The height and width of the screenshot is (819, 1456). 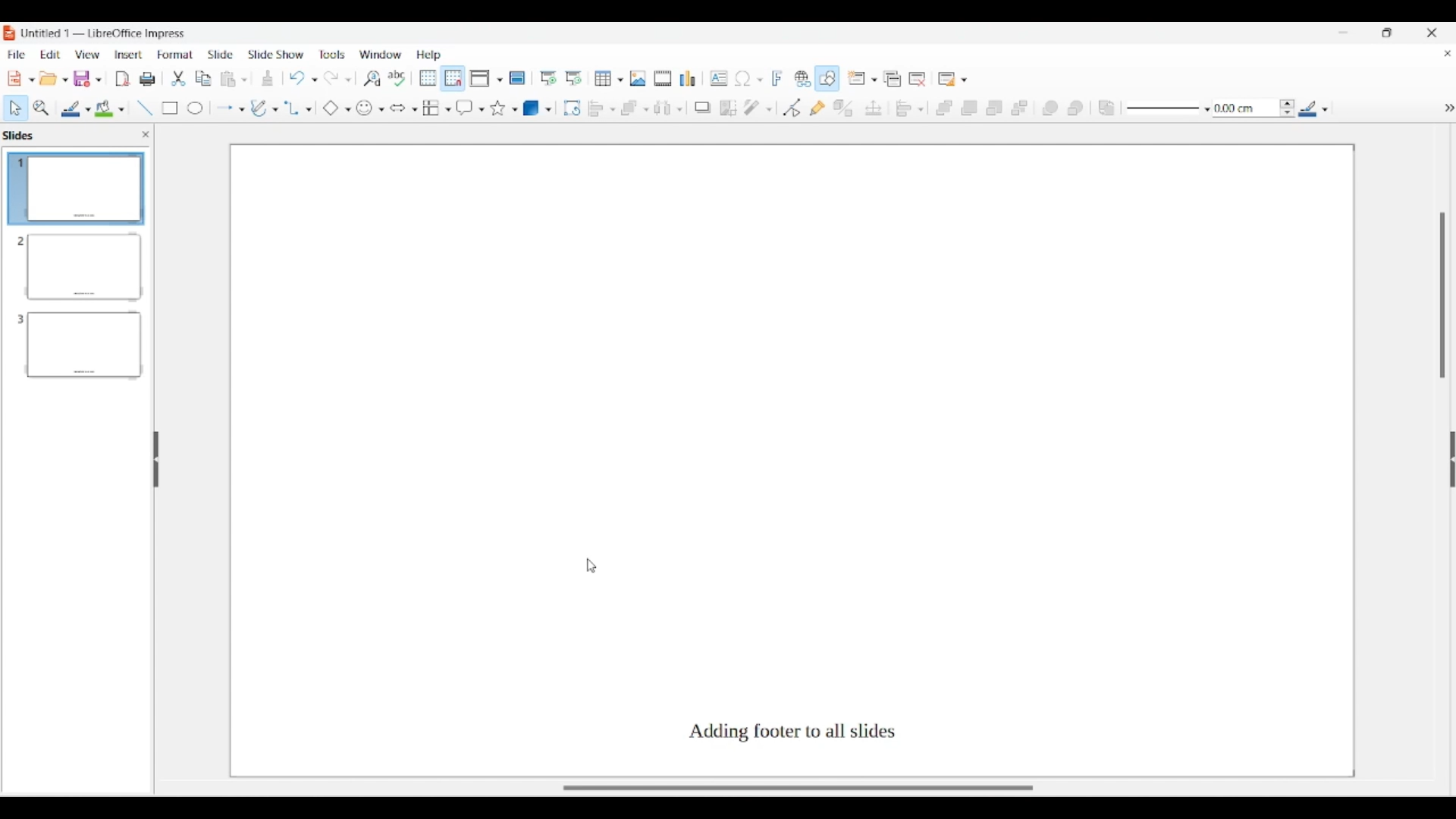 I want to click on Window menu, so click(x=380, y=55).